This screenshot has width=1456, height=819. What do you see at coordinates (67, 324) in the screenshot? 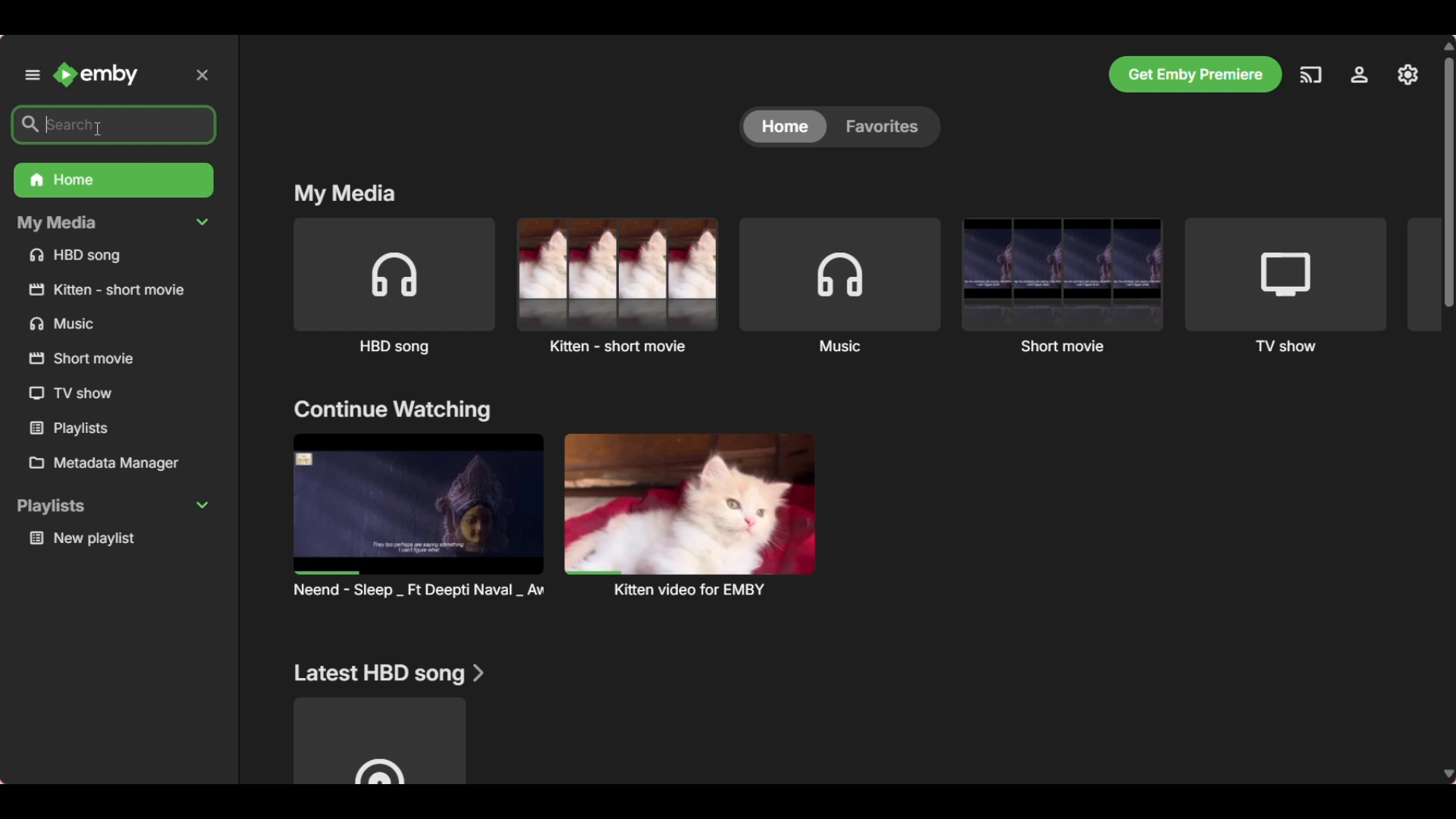
I see `` at bounding box center [67, 324].